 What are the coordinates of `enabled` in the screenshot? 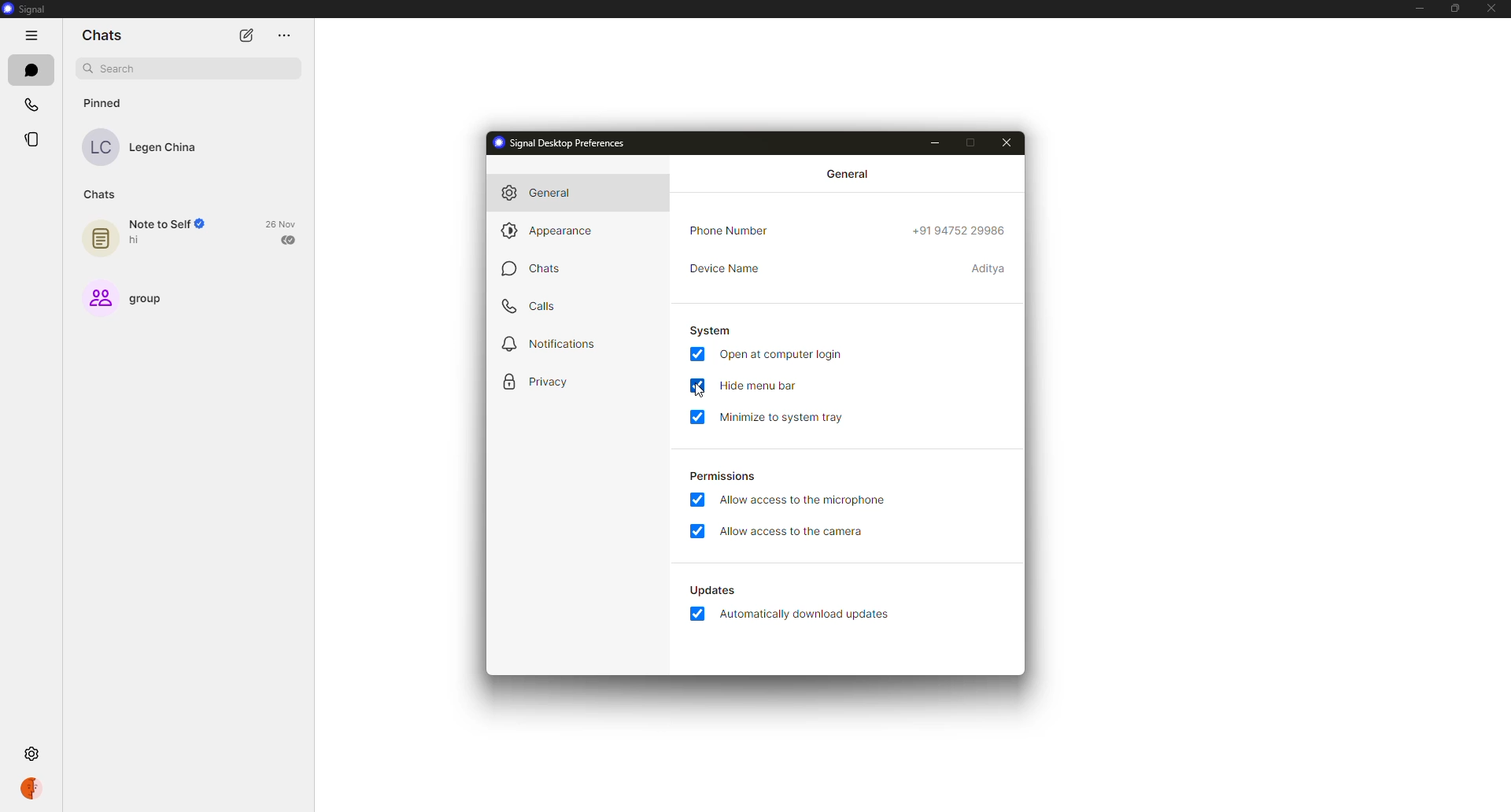 It's located at (697, 353).